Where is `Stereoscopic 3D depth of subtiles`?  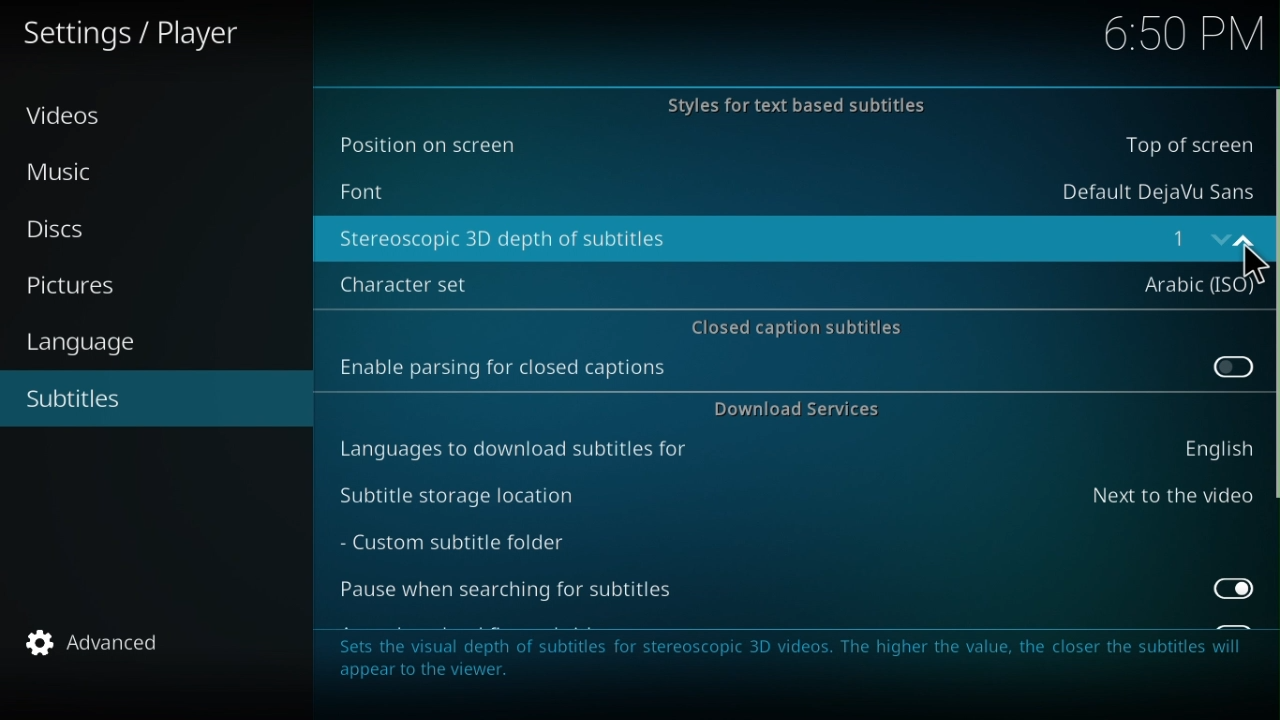 Stereoscopic 3D depth of subtiles is located at coordinates (727, 237).